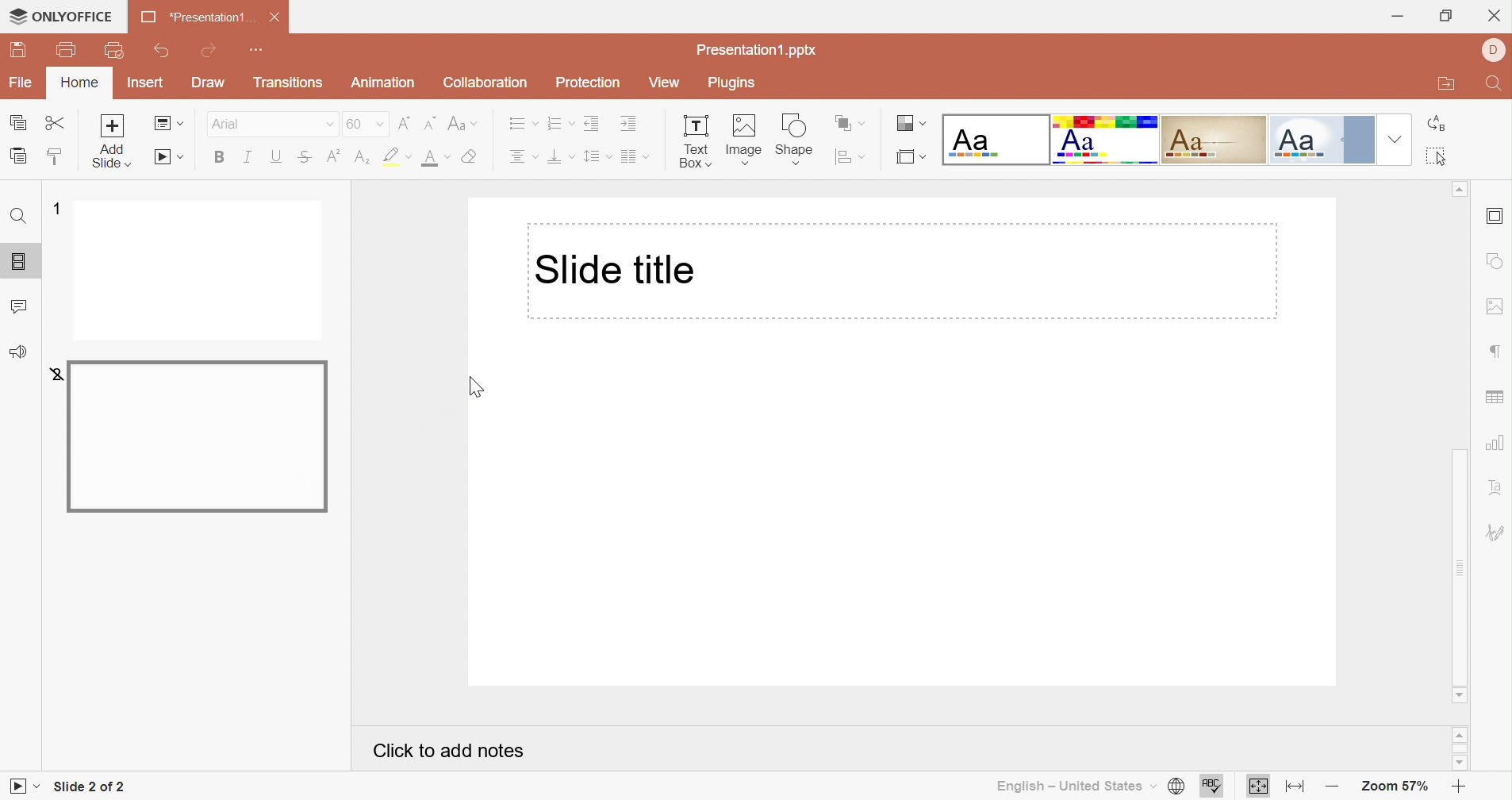 The height and width of the screenshot is (800, 1512). What do you see at coordinates (21, 787) in the screenshot?
I see `` at bounding box center [21, 787].